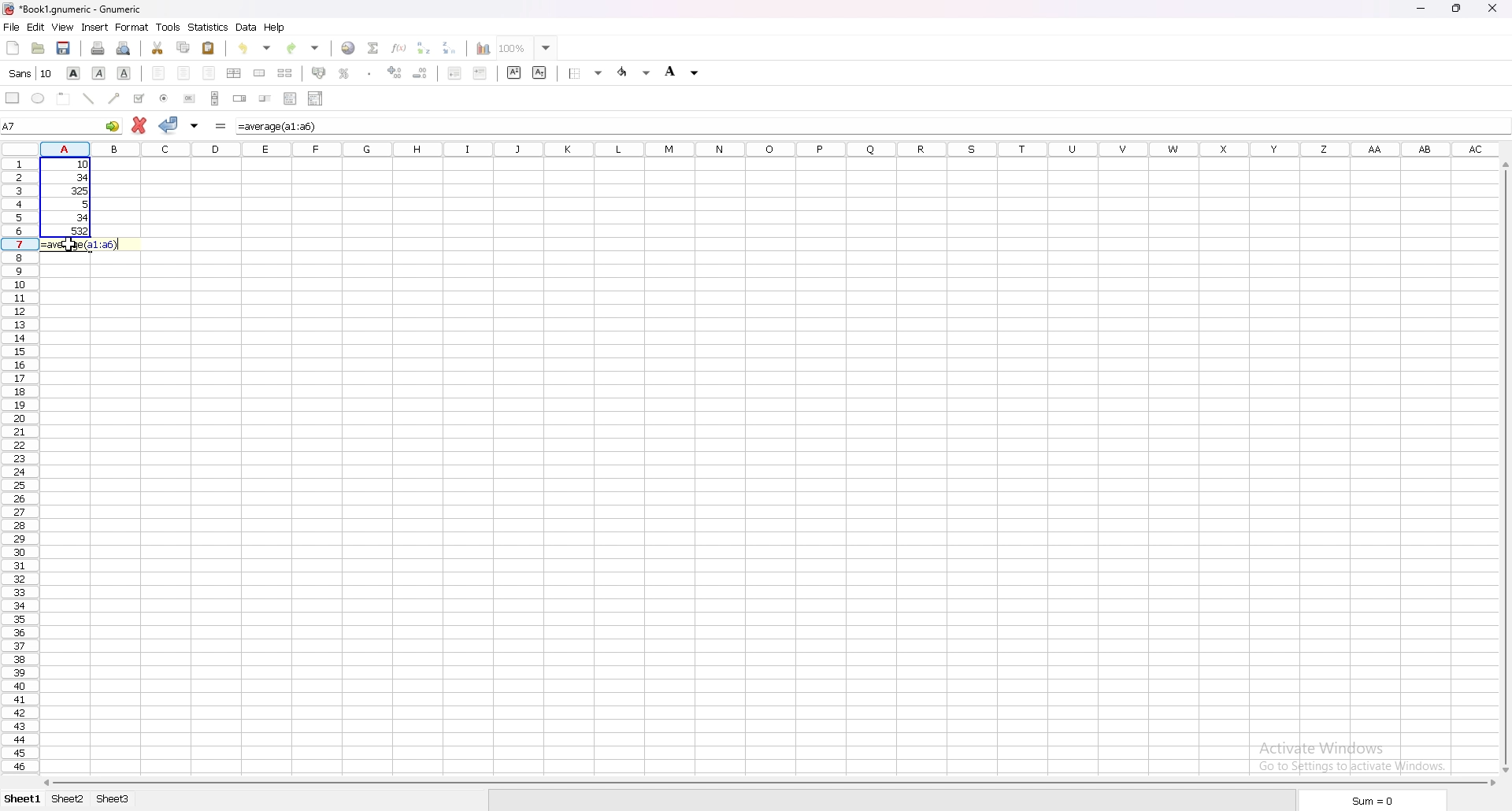  Describe the element at coordinates (9, 10) in the screenshot. I see `gnumeric logo` at that location.